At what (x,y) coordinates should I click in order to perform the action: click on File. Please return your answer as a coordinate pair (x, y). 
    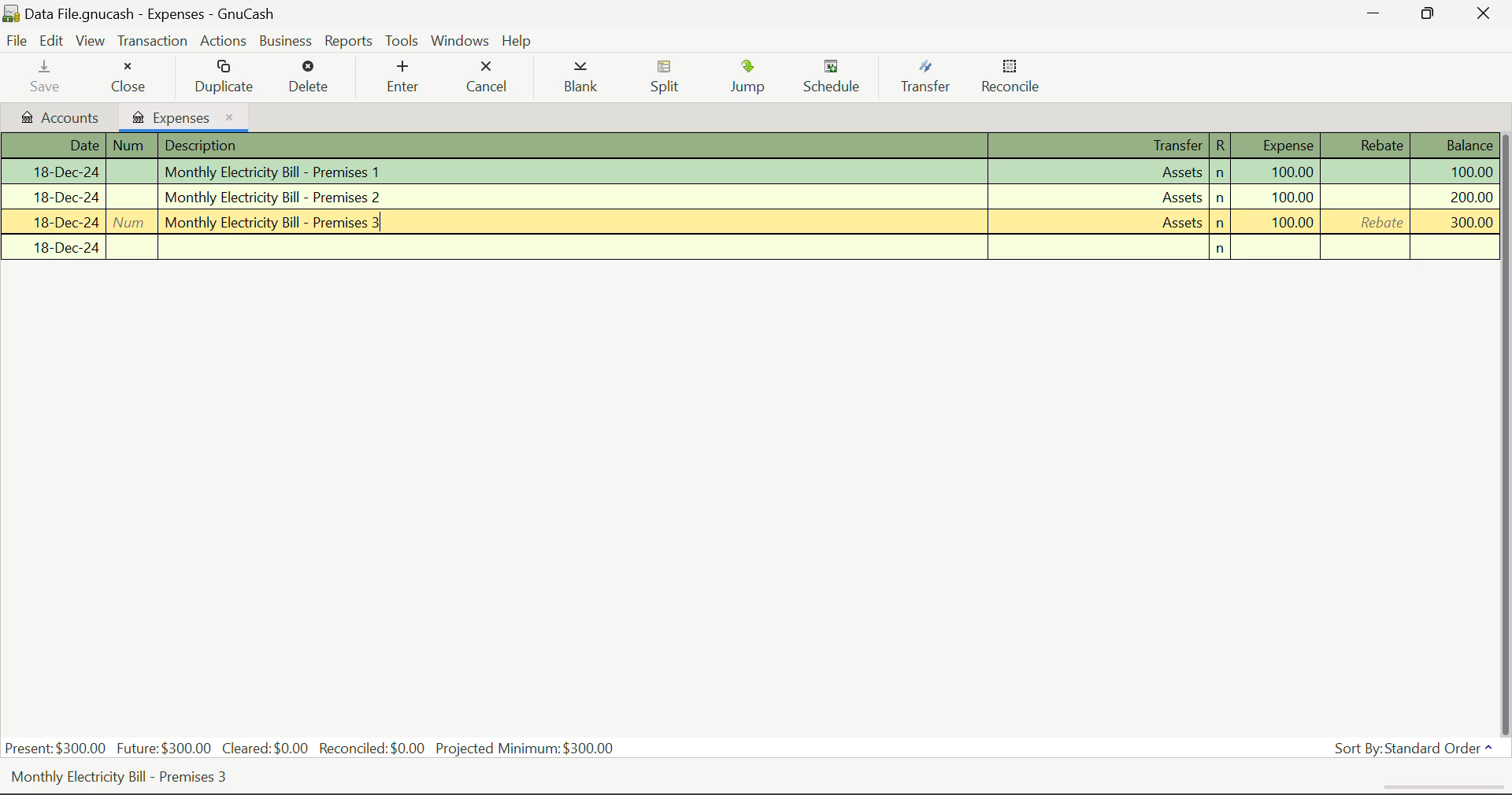
    Looking at the image, I should click on (19, 39).